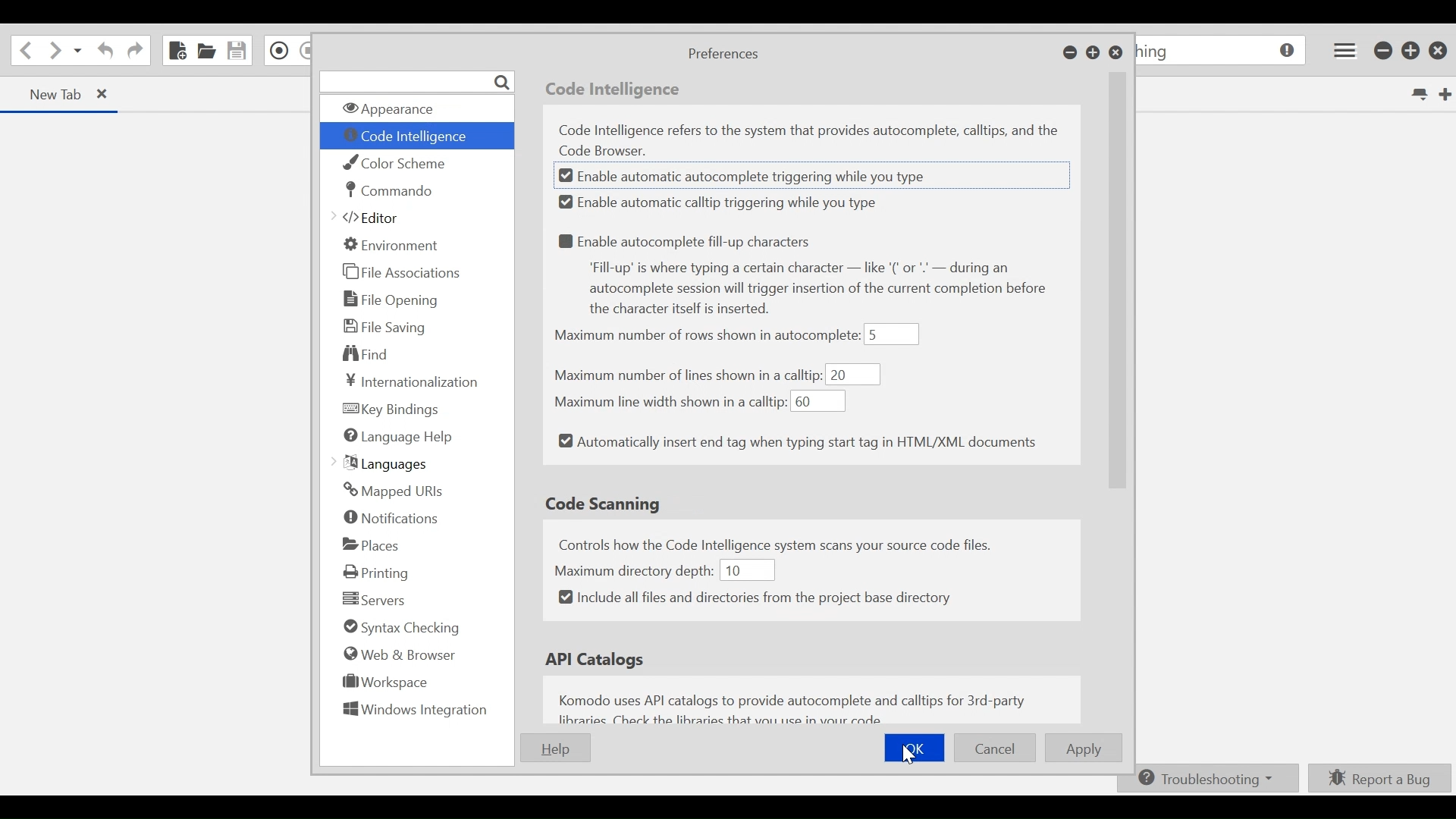 The height and width of the screenshot is (819, 1456). I want to click on Search, so click(416, 81).